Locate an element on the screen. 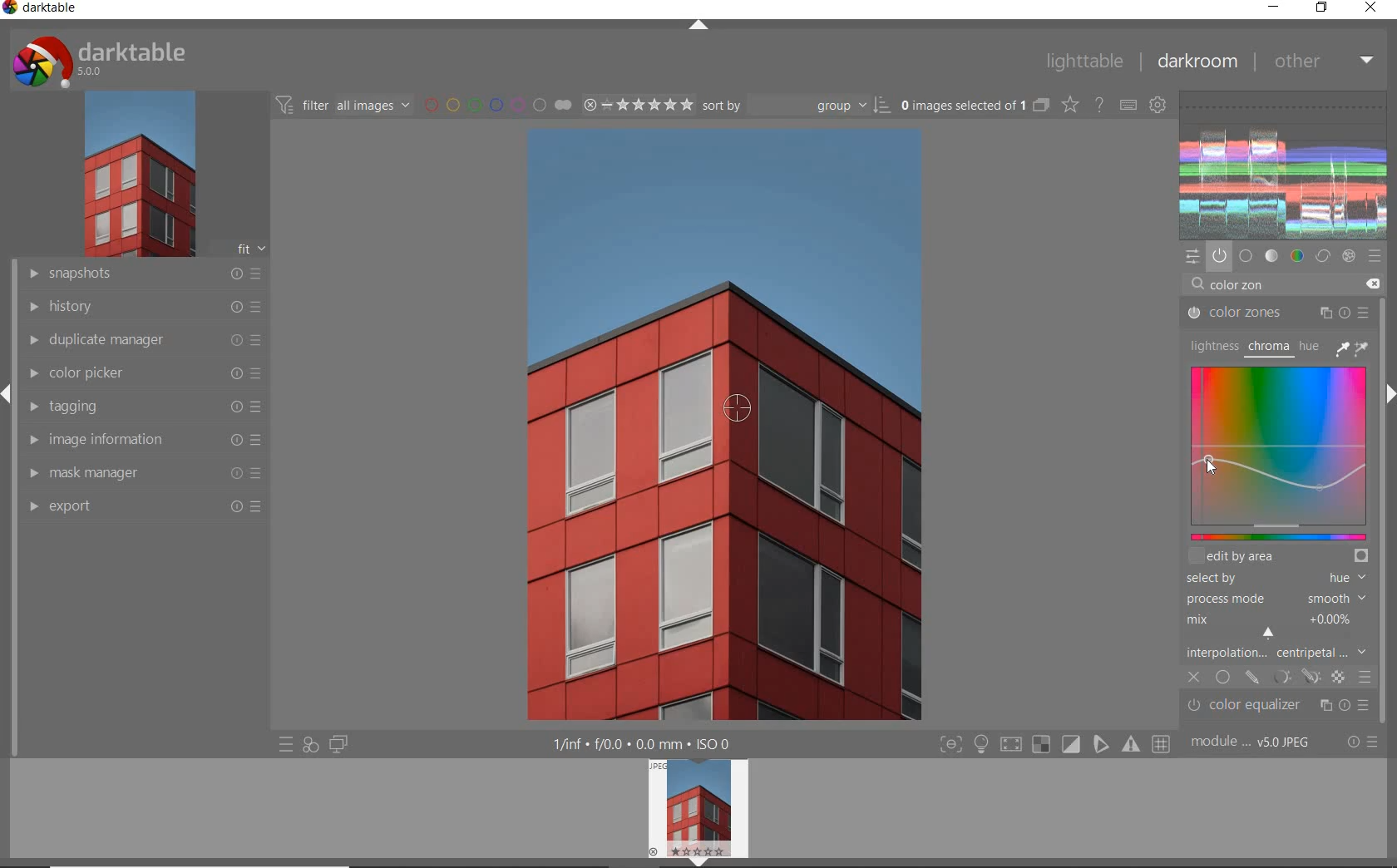 This screenshot has height=868, width=1397. change type of overlays is located at coordinates (1072, 106).